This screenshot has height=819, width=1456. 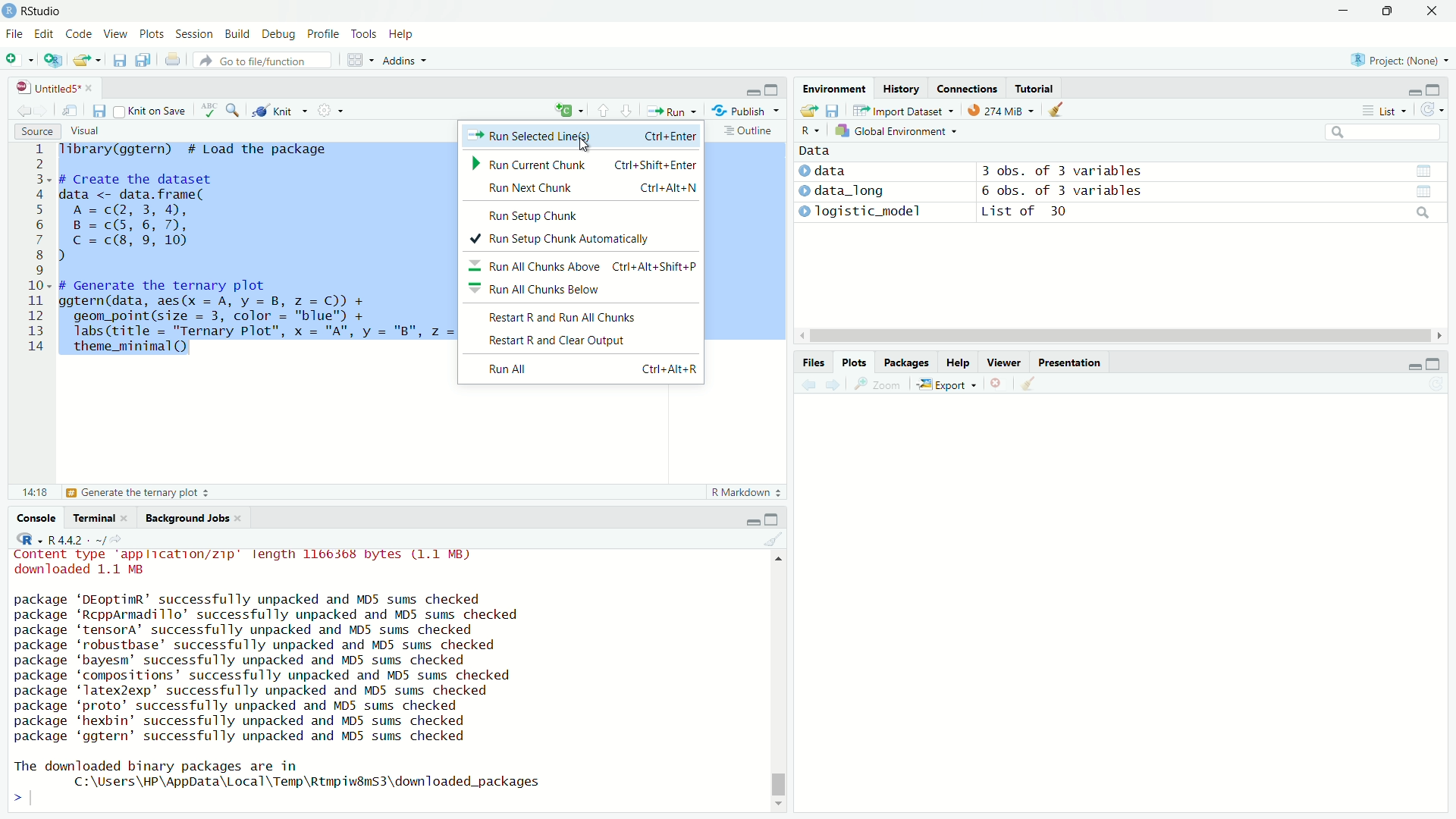 What do you see at coordinates (1109, 337) in the screenshot?
I see `cursor` at bounding box center [1109, 337].